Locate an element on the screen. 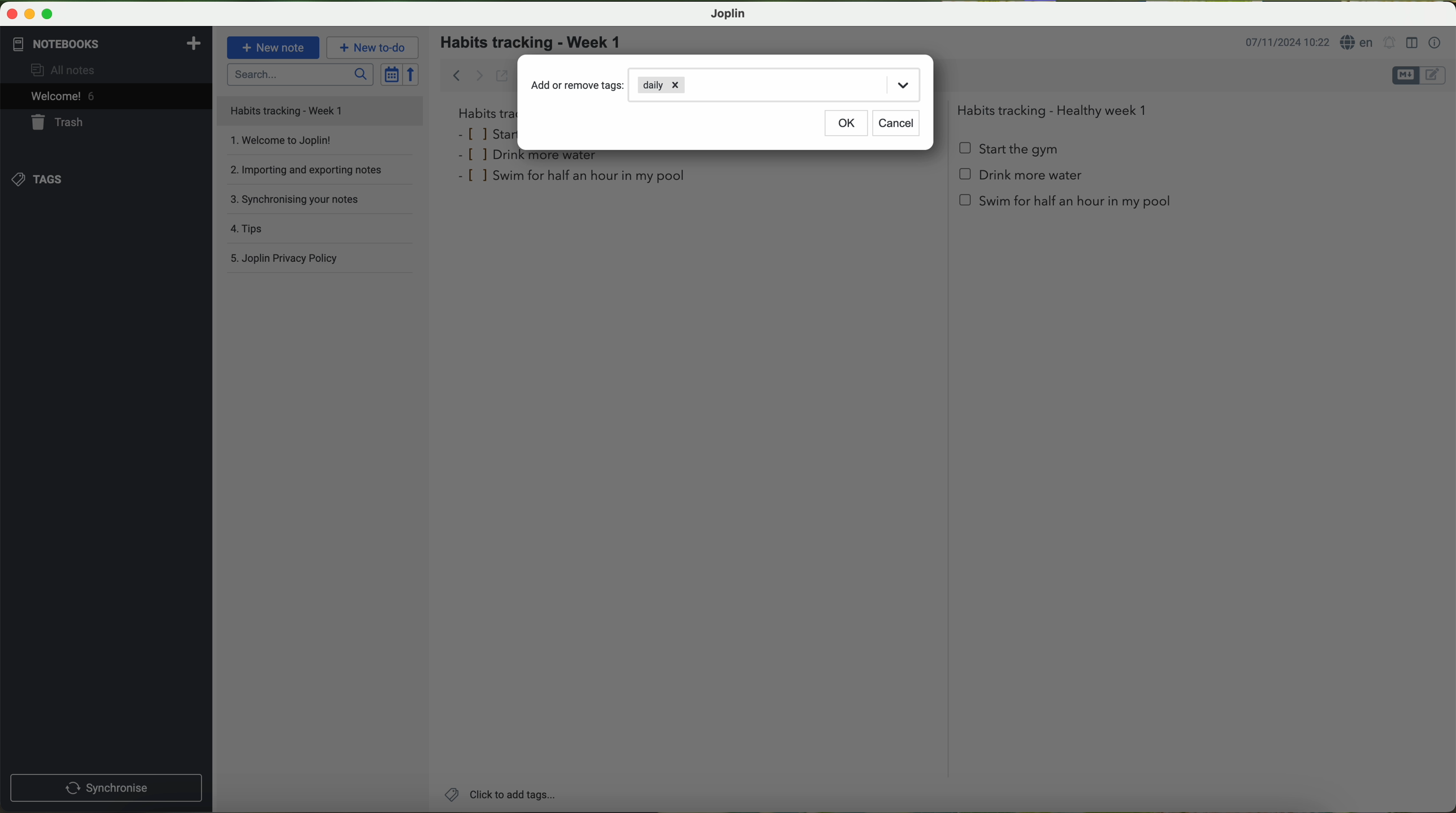 The width and height of the screenshot is (1456, 813). daily tag is located at coordinates (661, 84).